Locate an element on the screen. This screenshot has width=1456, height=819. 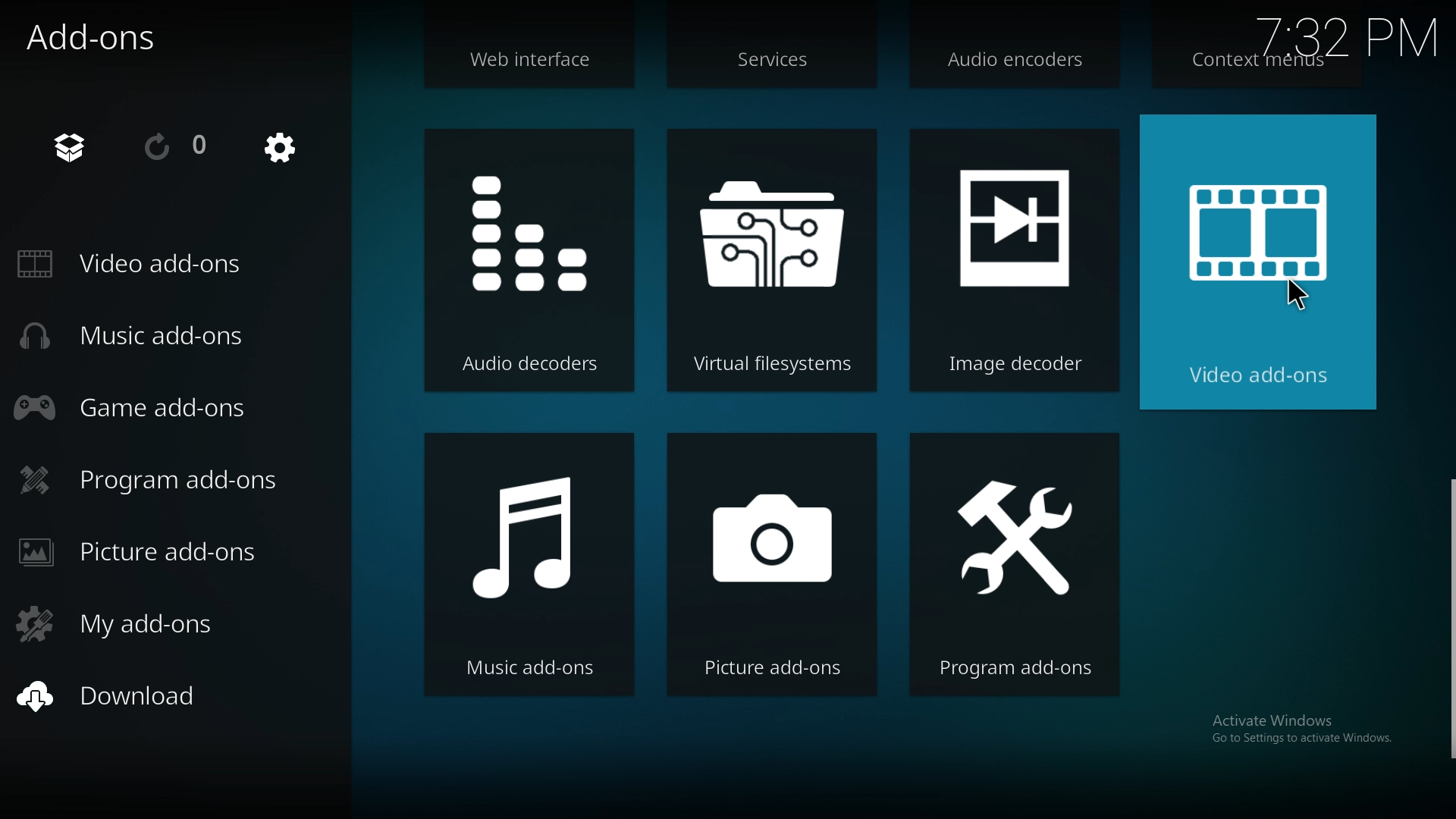
services is located at coordinates (774, 63).